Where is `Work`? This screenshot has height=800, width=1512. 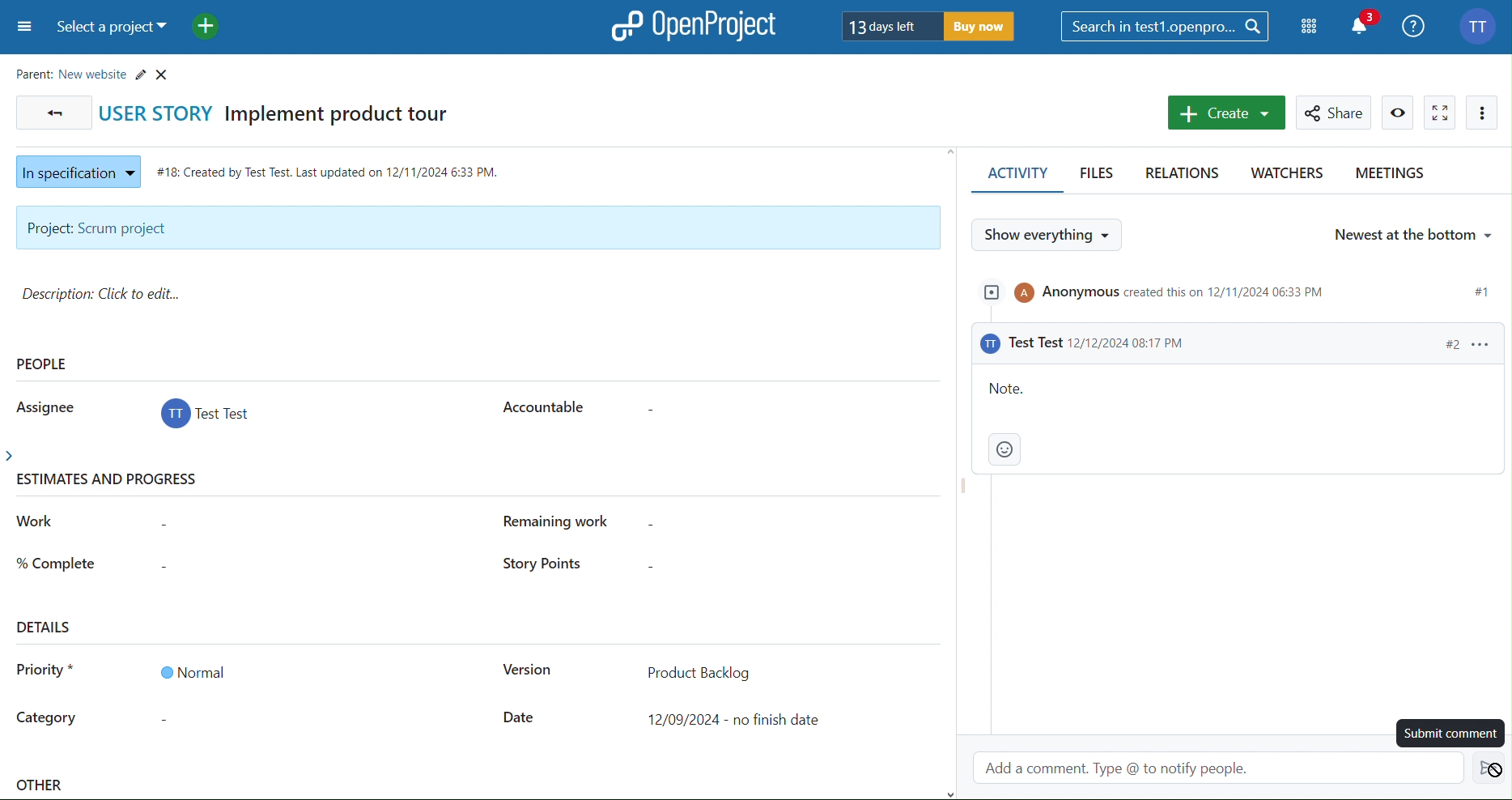 Work is located at coordinates (36, 521).